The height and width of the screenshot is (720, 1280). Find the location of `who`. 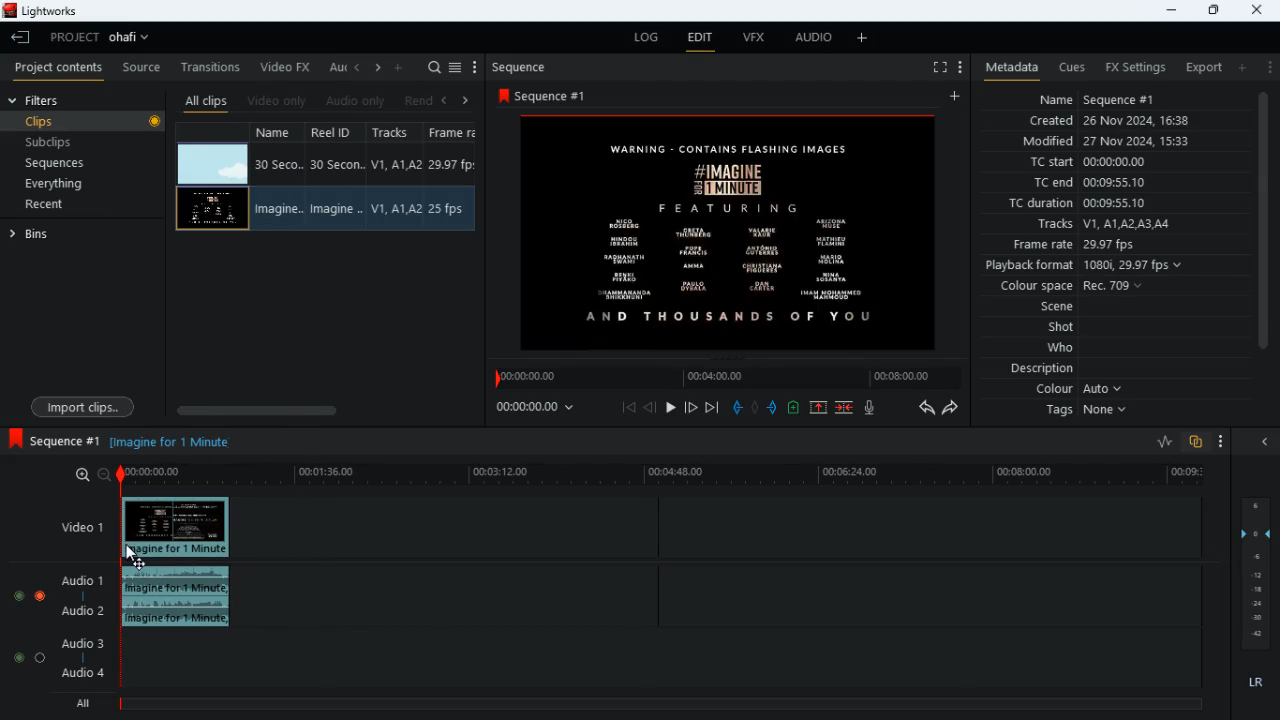

who is located at coordinates (1065, 347).